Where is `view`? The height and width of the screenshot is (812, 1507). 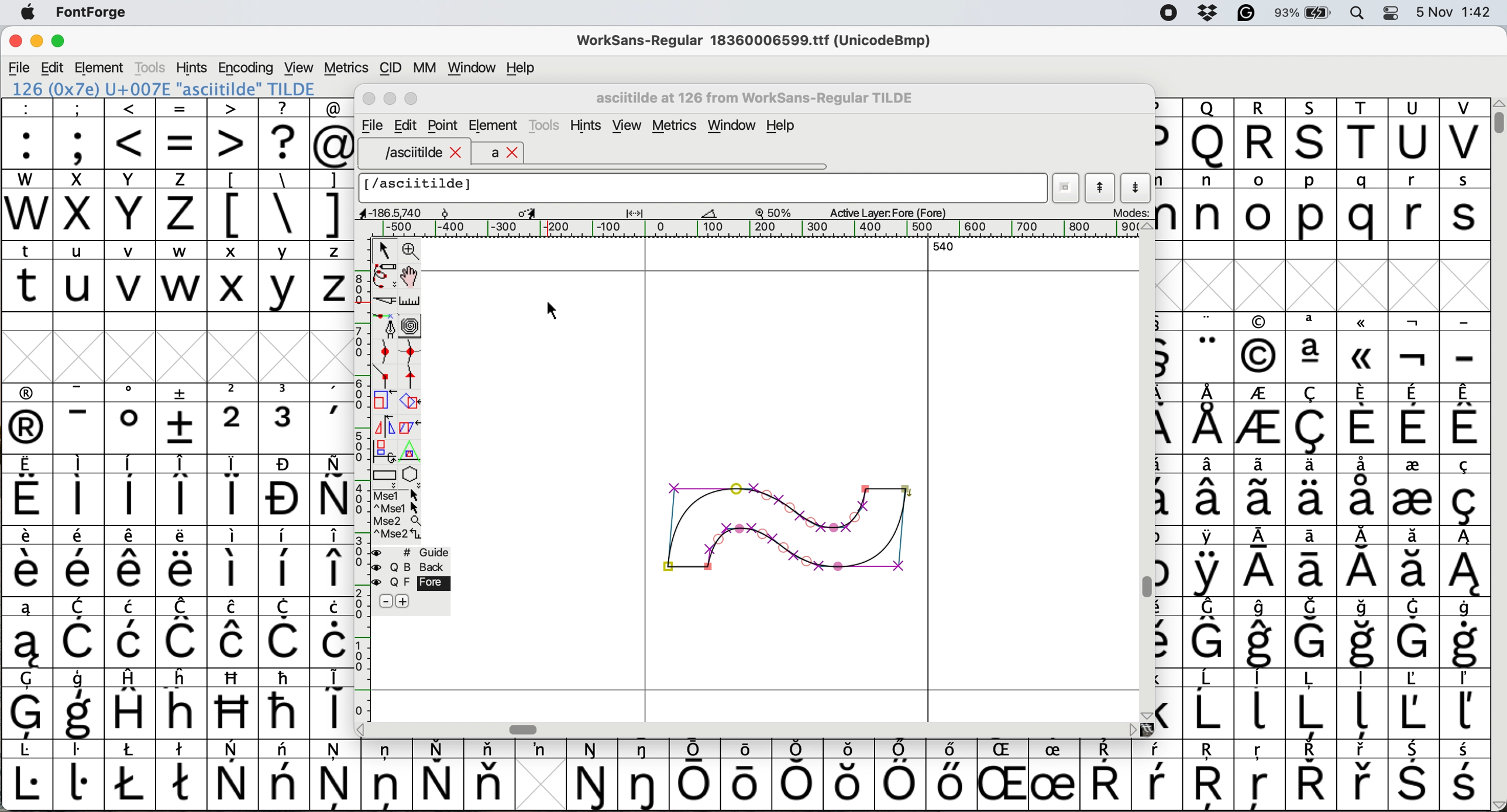 view is located at coordinates (626, 126).